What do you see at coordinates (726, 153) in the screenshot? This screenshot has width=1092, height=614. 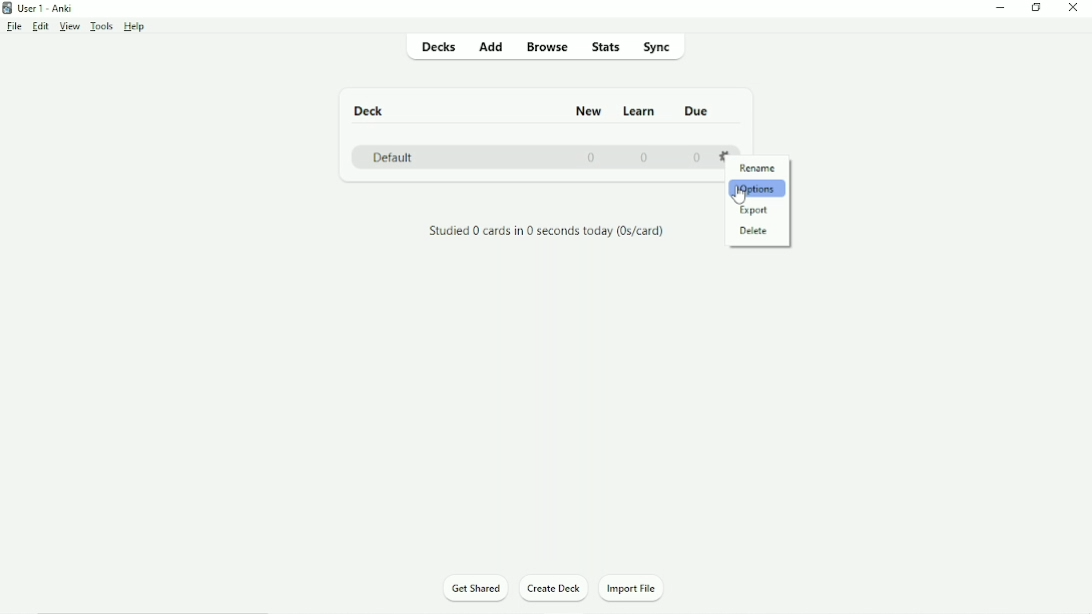 I see `Settings` at bounding box center [726, 153].